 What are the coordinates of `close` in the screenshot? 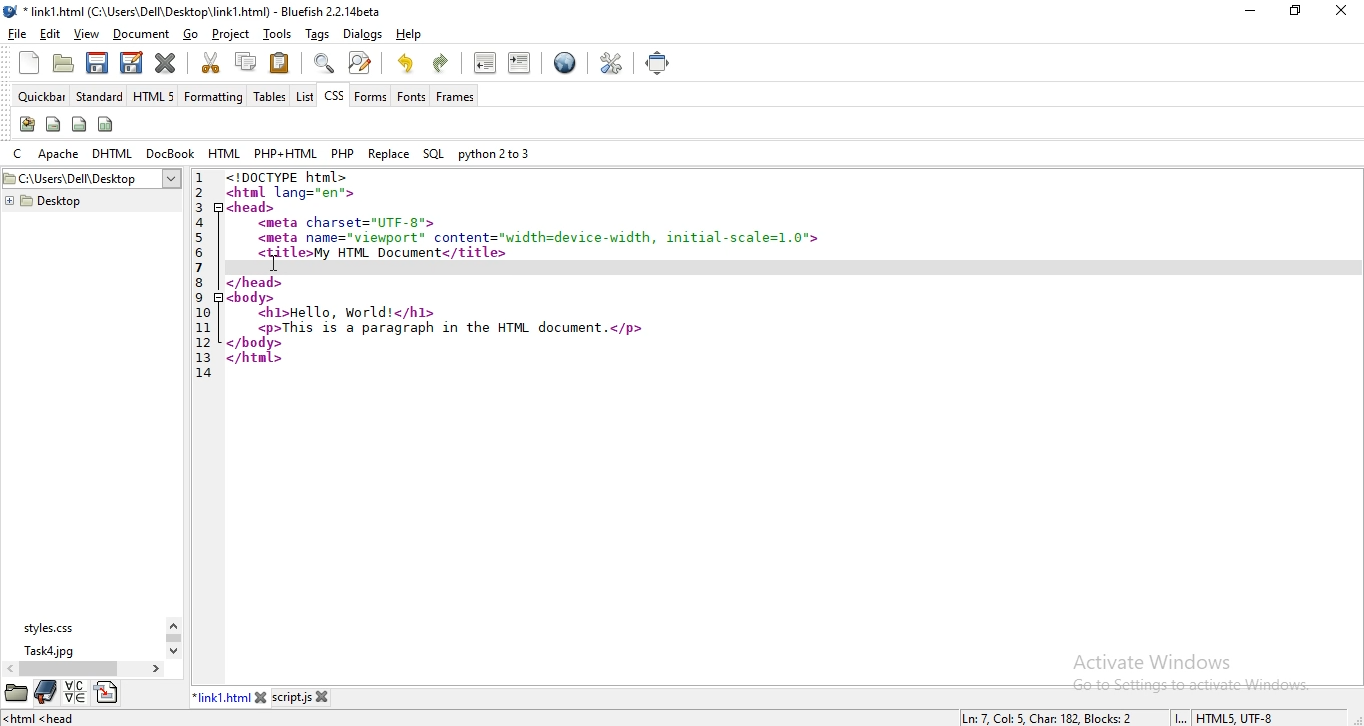 It's located at (1340, 11).